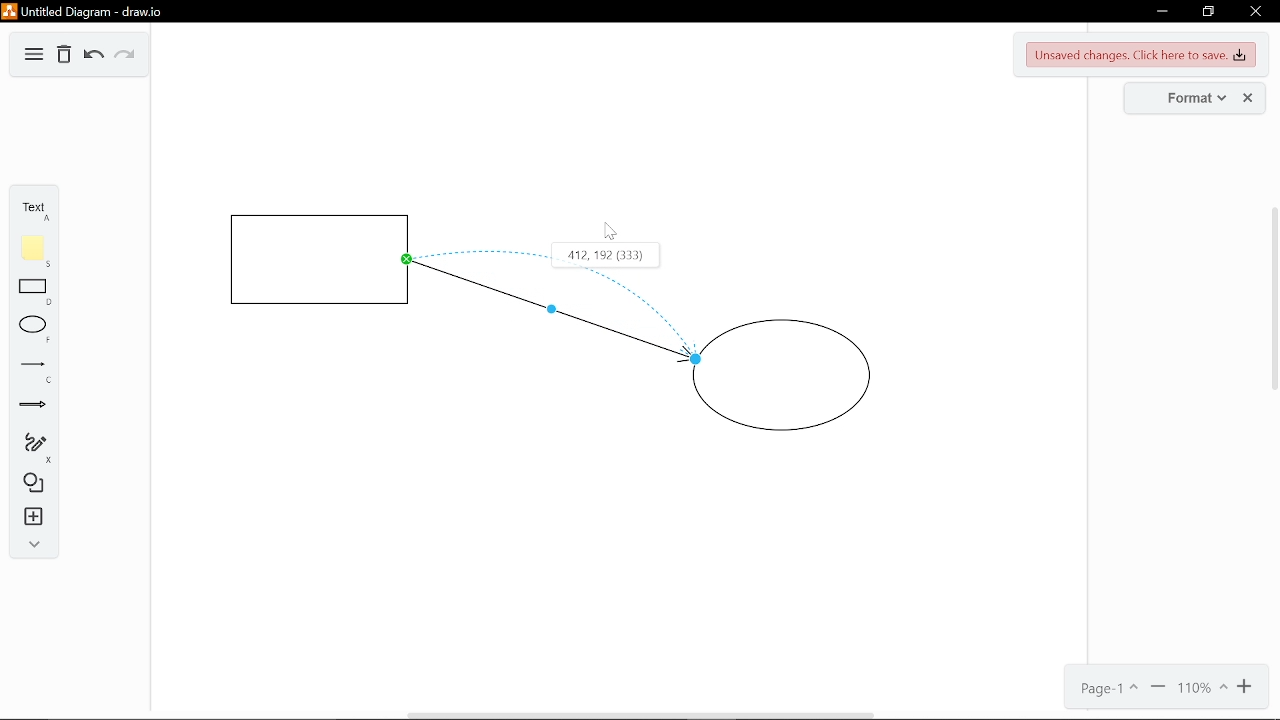 The height and width of the screenshot is (720, 1280). Describe the element at coordinates (1158, 689) in the screenshot. I see `Zoom out` at that location.